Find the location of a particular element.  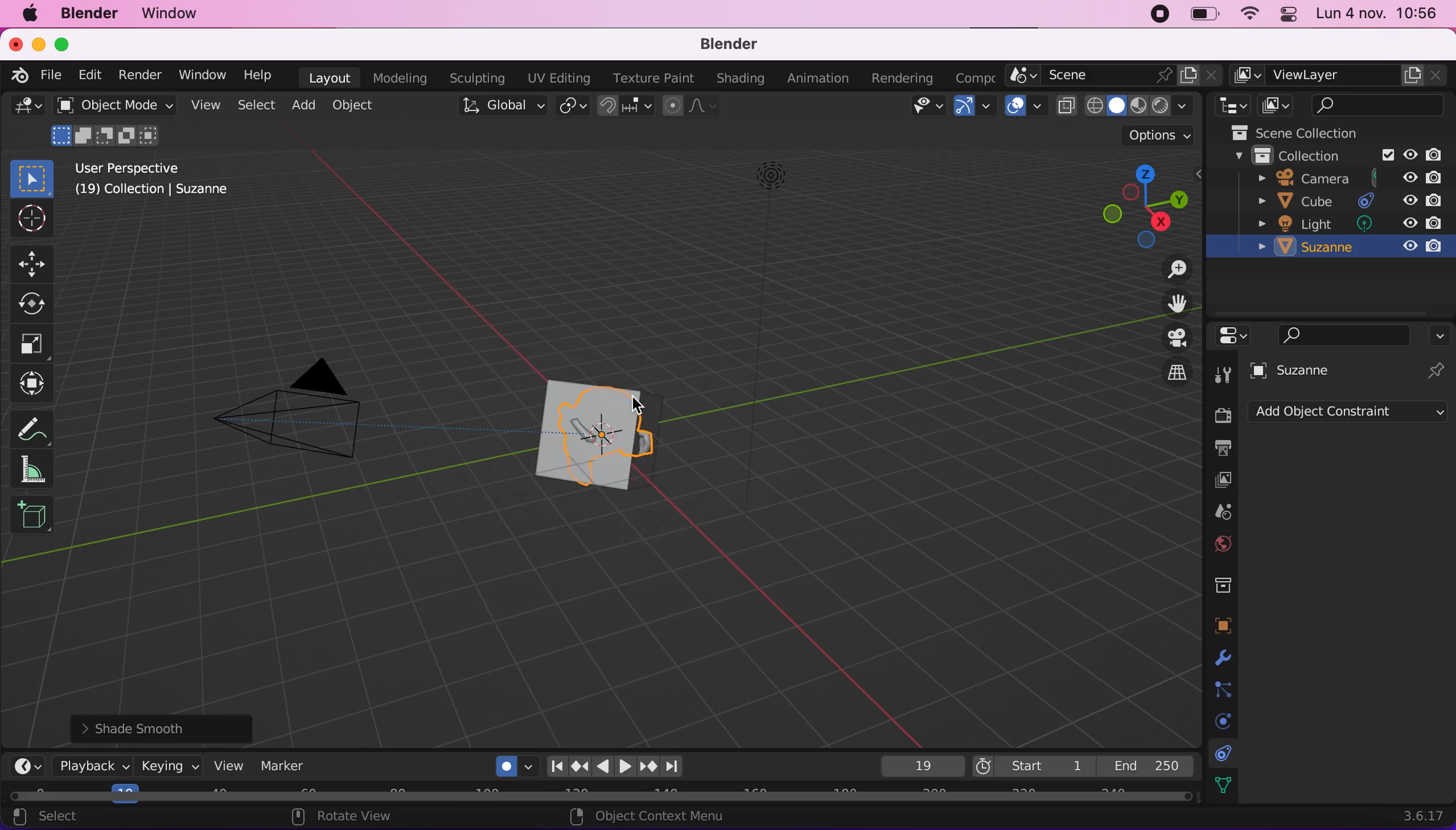

battery is located at coordinates (1201, 14).